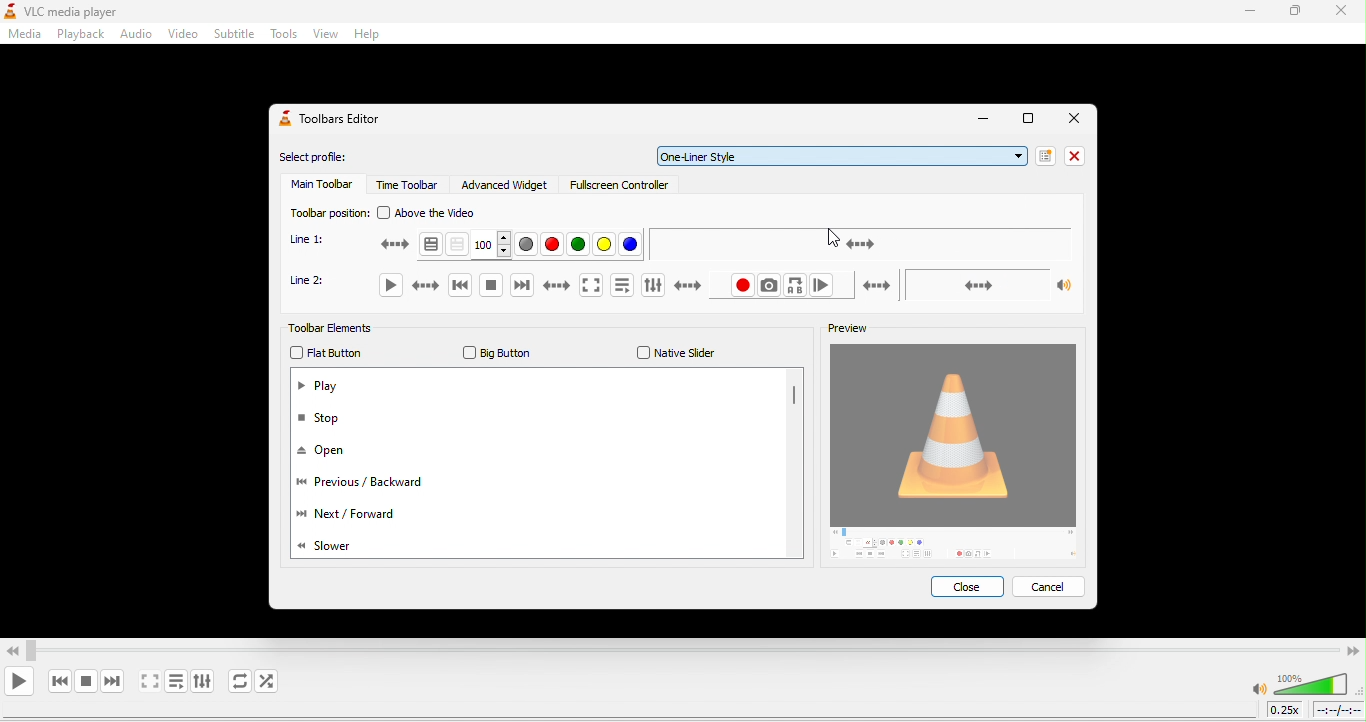 The image size is (1366, 722). Describe the element at coordinates (337, 353) in the screenshot. I see `flat button` at that location.